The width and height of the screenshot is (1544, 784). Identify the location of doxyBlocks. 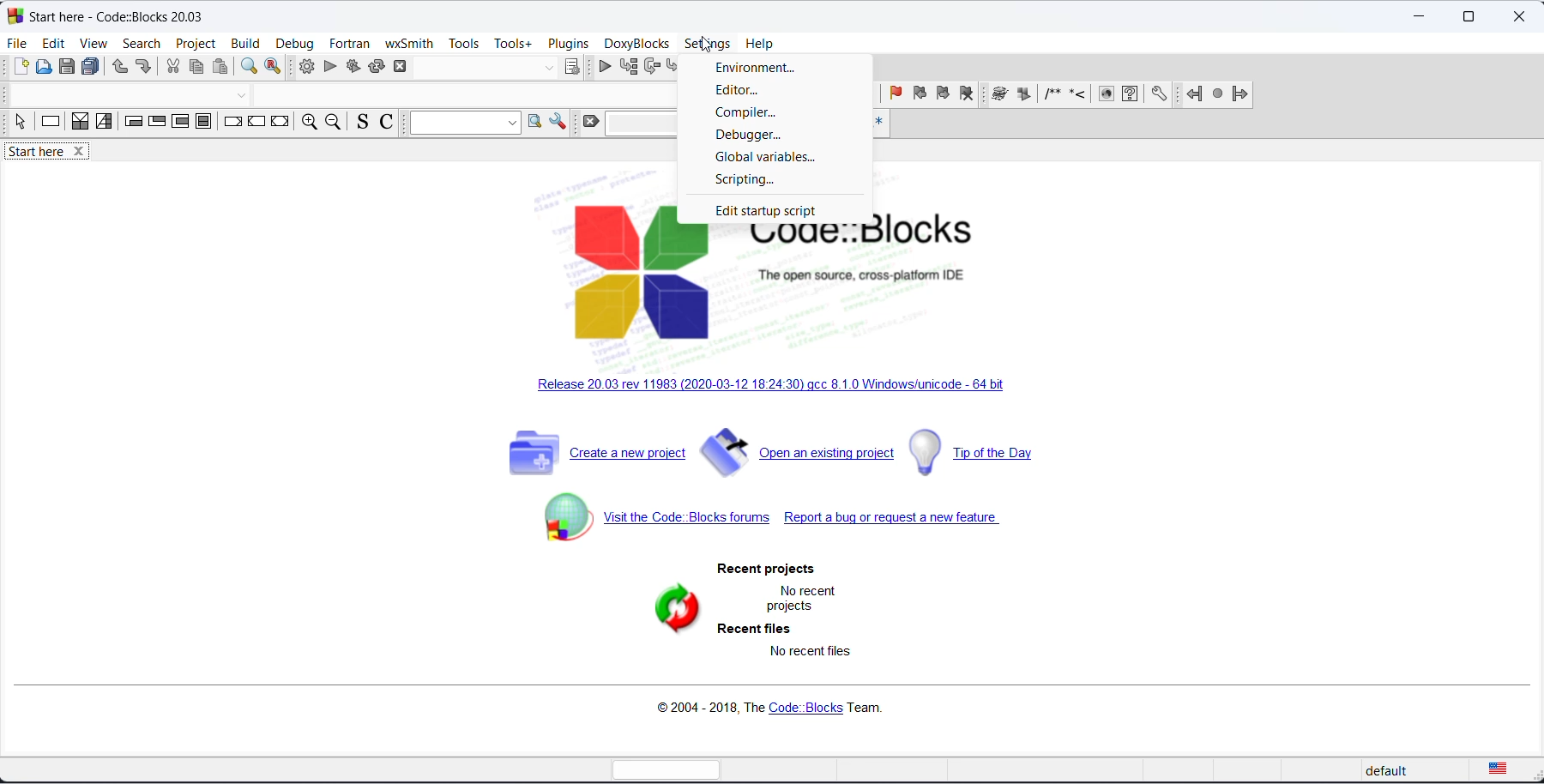
(636, 45).